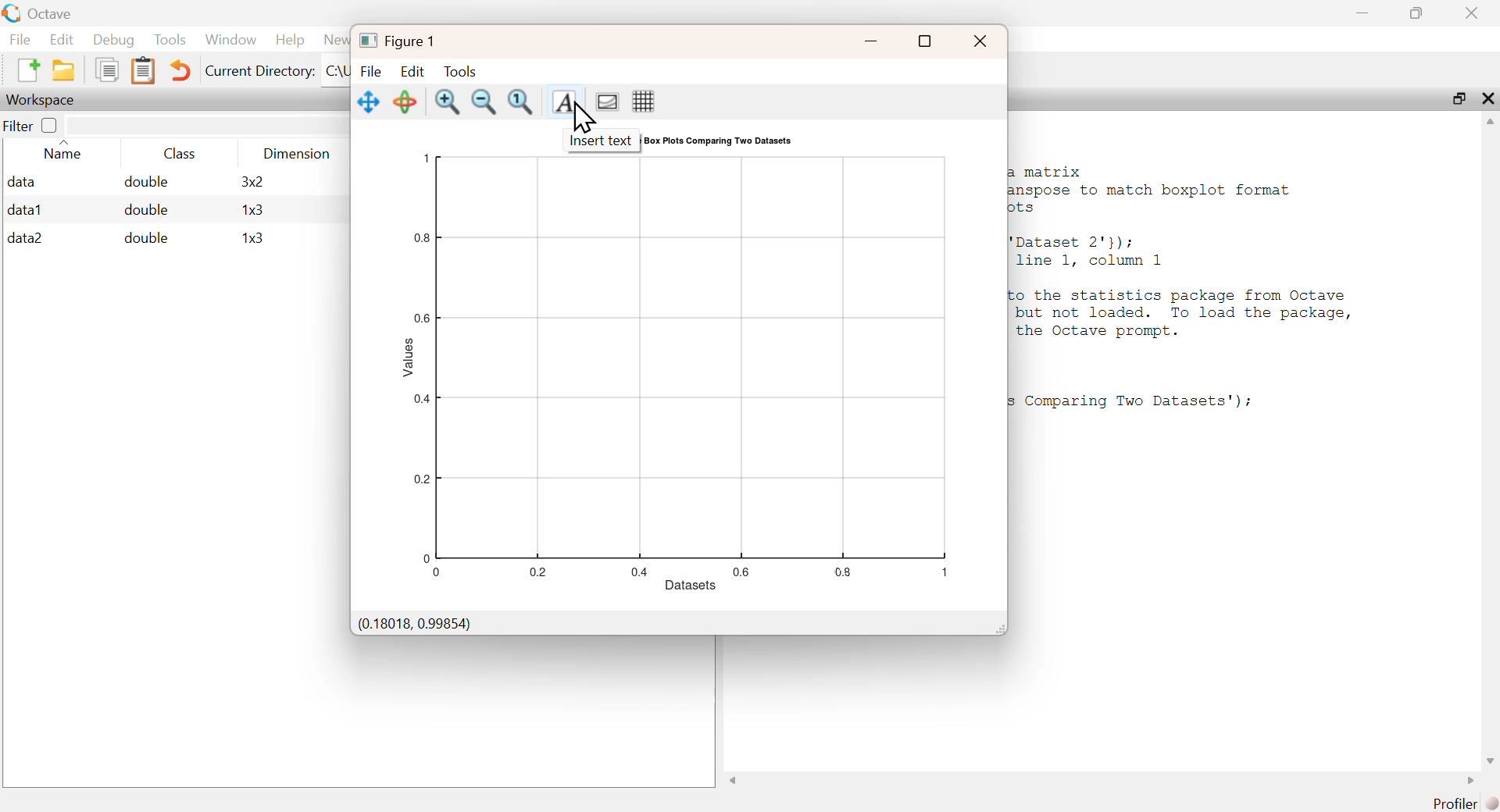 Image resolution: width=1500 pixels, height=812 pixels. What do you see at coordinates (582, 119) in the screenshot?
I see `cursor` at bounding box center [582, 119].